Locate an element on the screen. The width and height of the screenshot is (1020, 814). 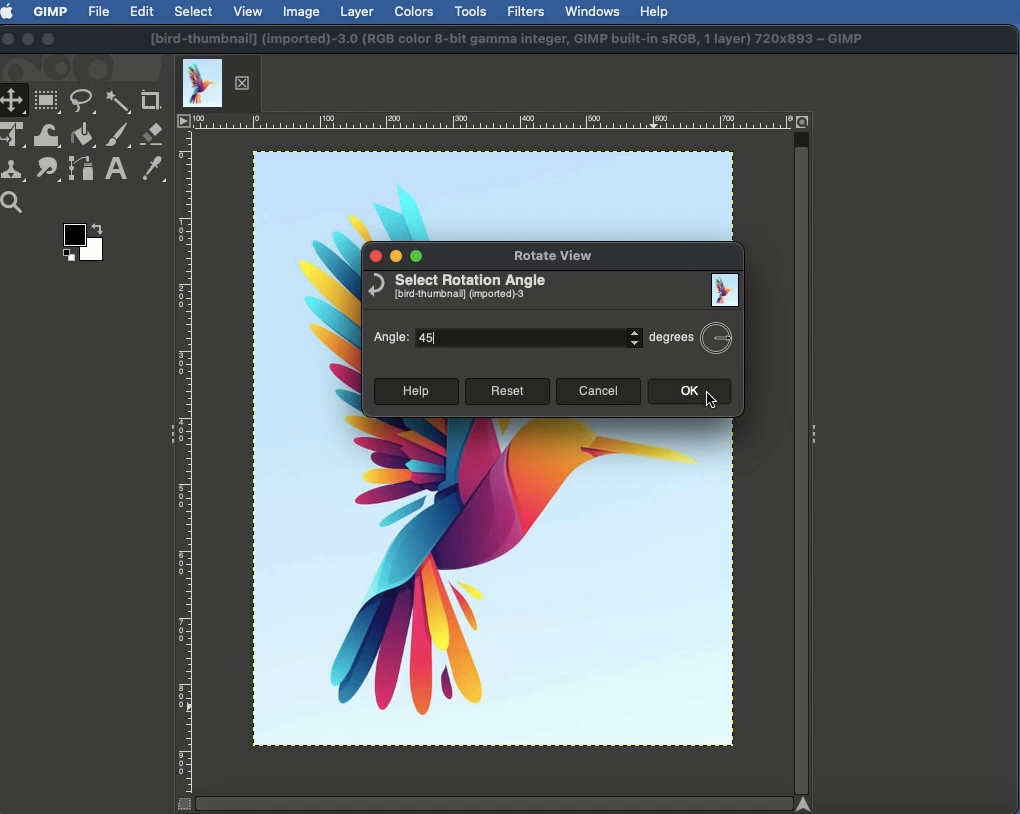
Windows is located at coordinates (591, 11).